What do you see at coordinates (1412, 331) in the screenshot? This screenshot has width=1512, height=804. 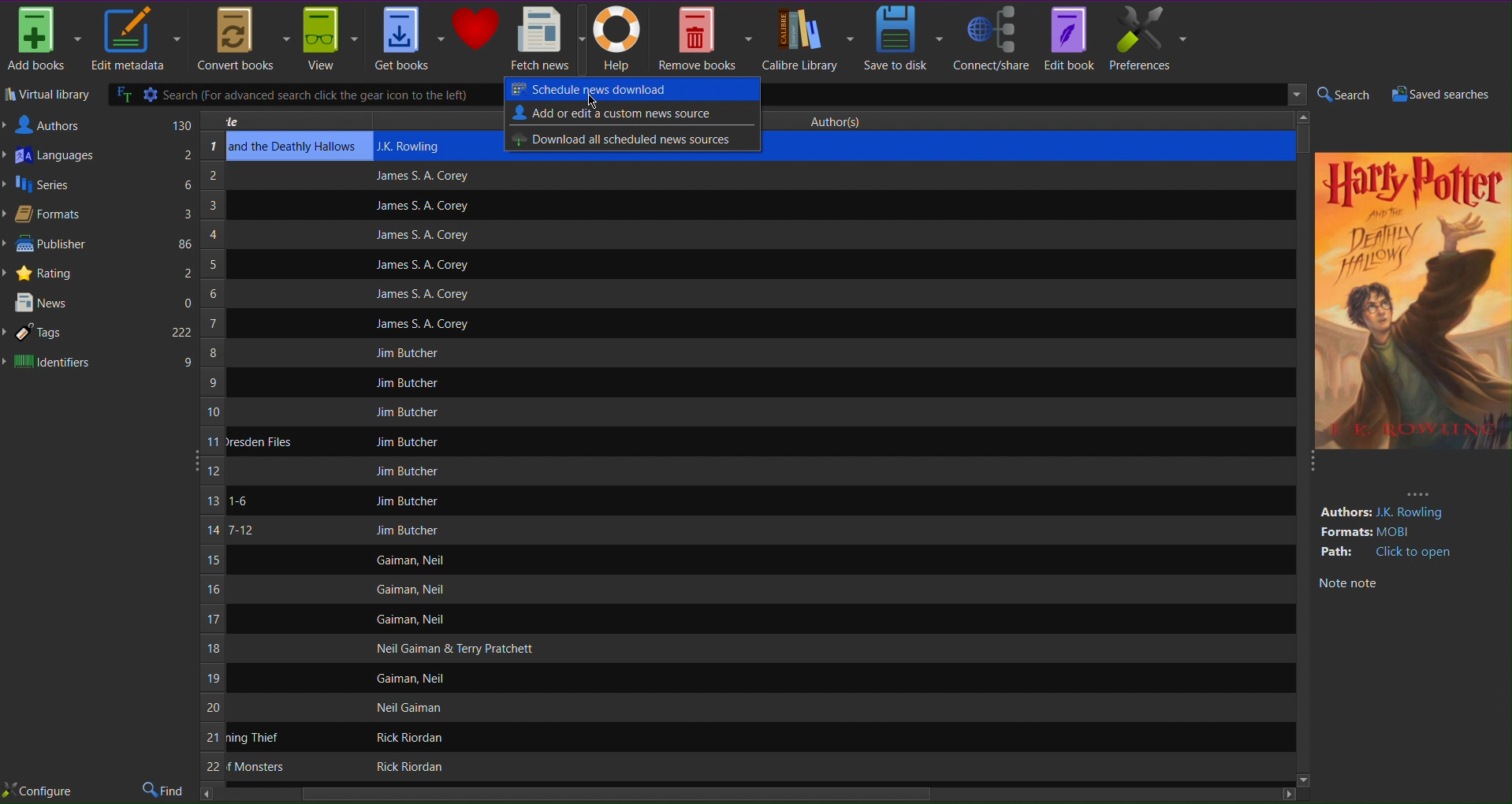 I see `Cover Preview` at bounding box center [1412, 331].